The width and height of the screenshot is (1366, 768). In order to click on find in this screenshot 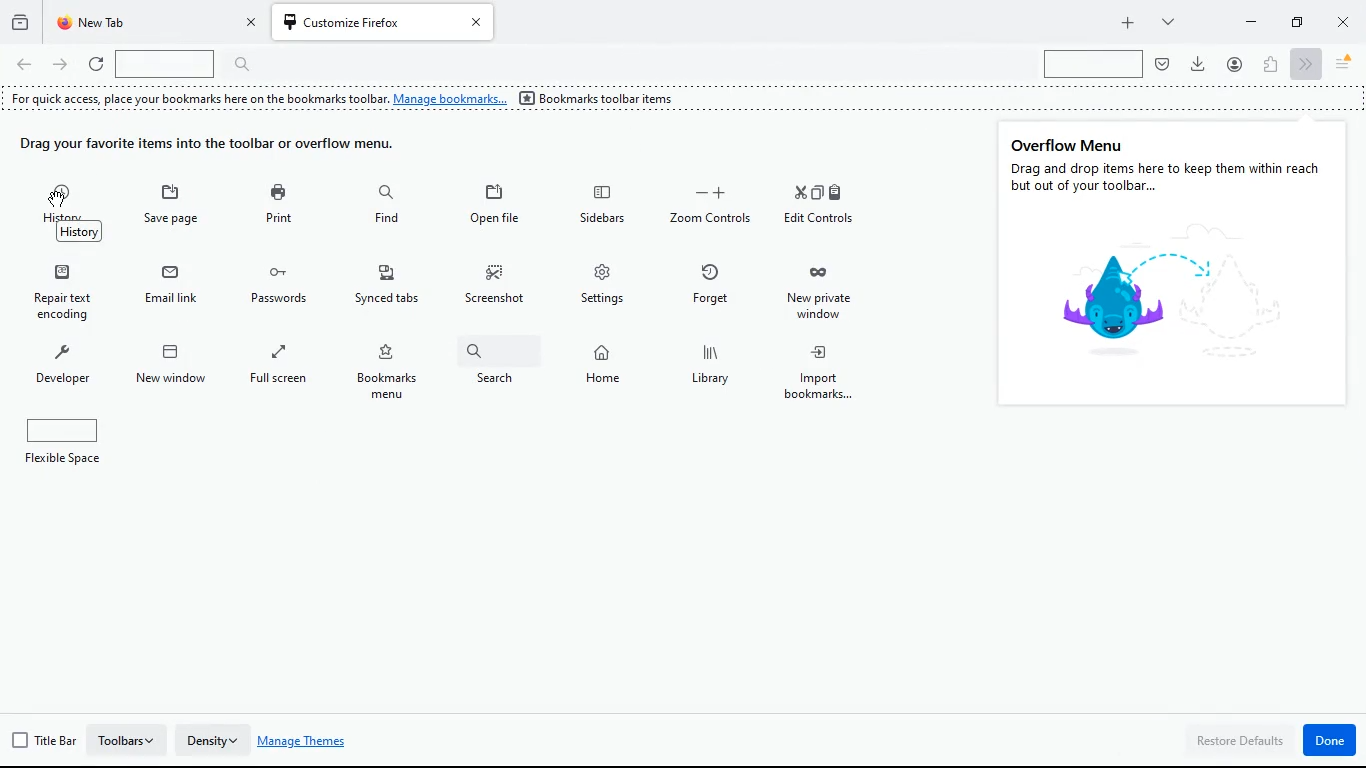, I will do `click(385, 206)`.